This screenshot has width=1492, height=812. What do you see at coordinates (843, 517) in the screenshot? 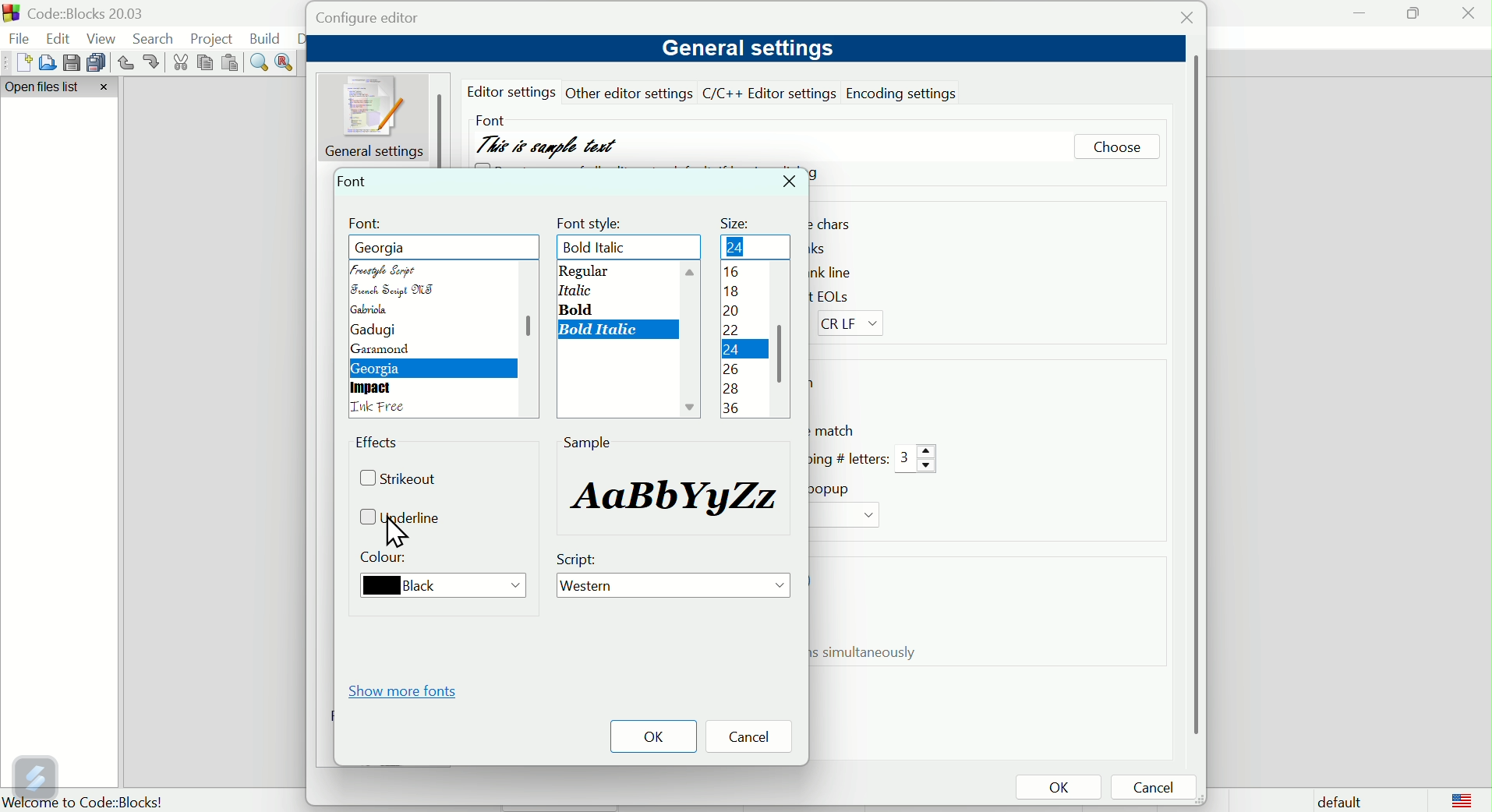
I see `Drop down` at bounding box center [843, 517].